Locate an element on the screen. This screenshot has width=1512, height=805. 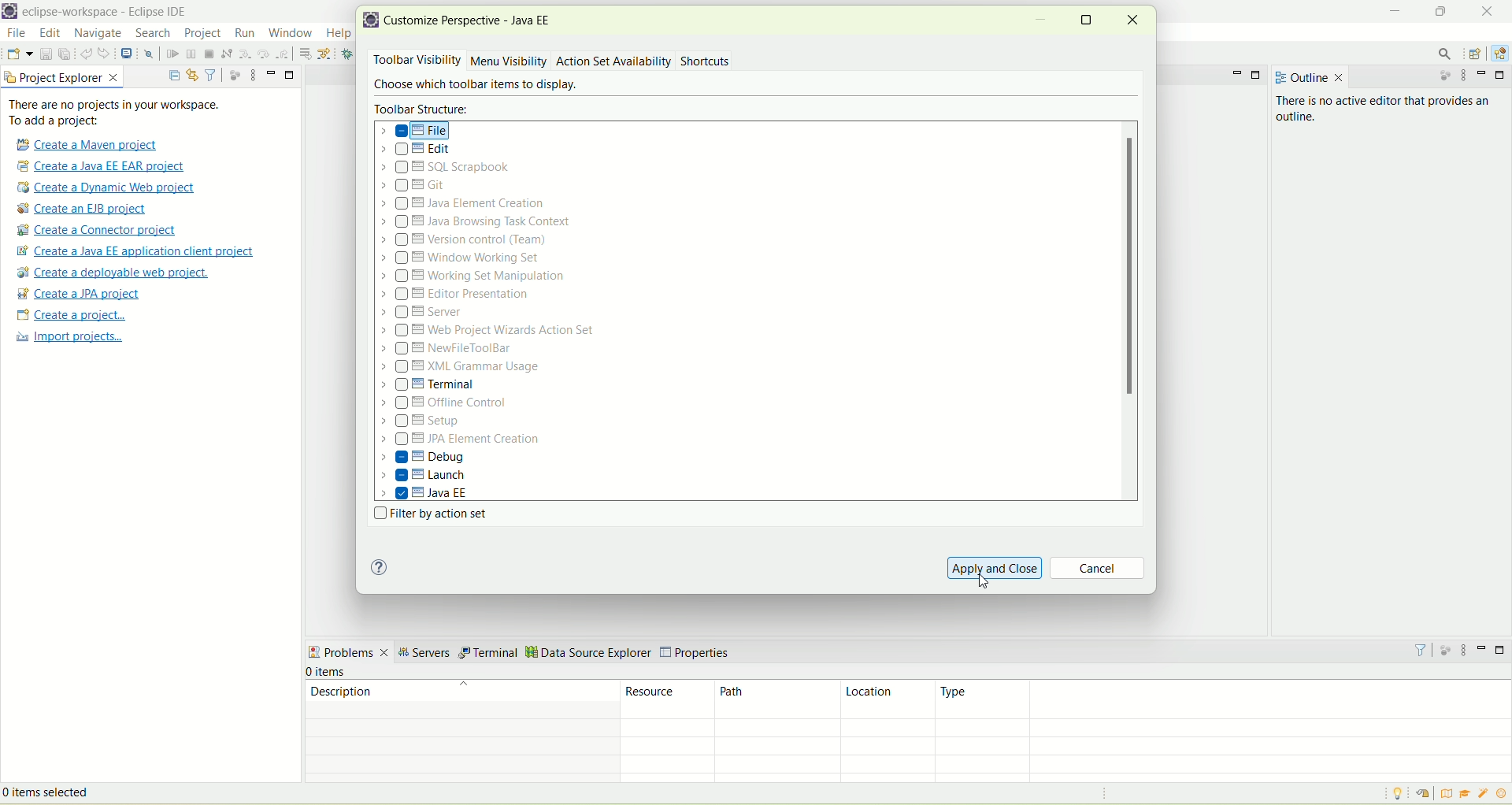
skip all breakpoints is located at coordinates (148, 55).